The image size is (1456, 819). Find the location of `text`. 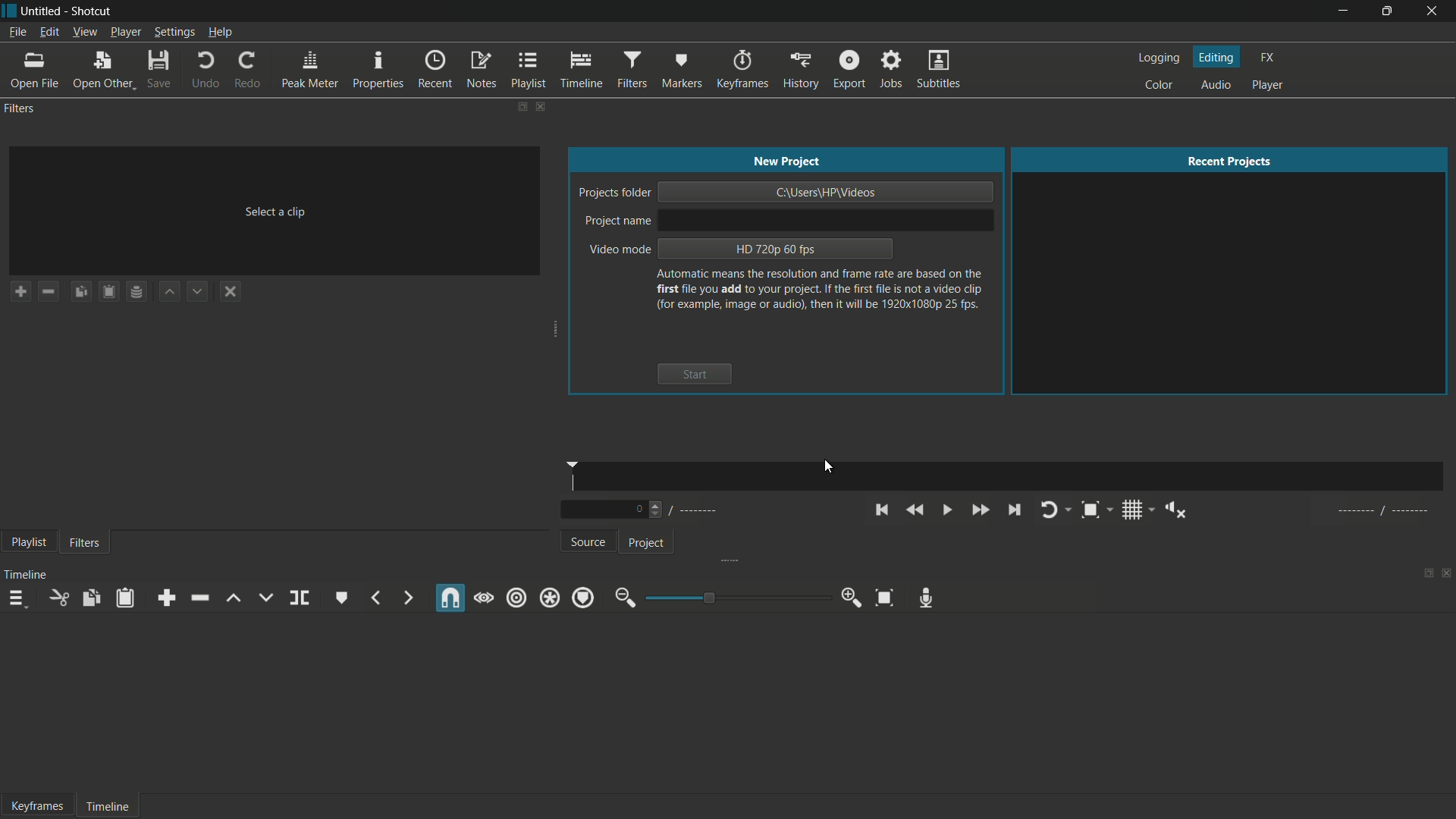

text is located at coordinates (821, 290).